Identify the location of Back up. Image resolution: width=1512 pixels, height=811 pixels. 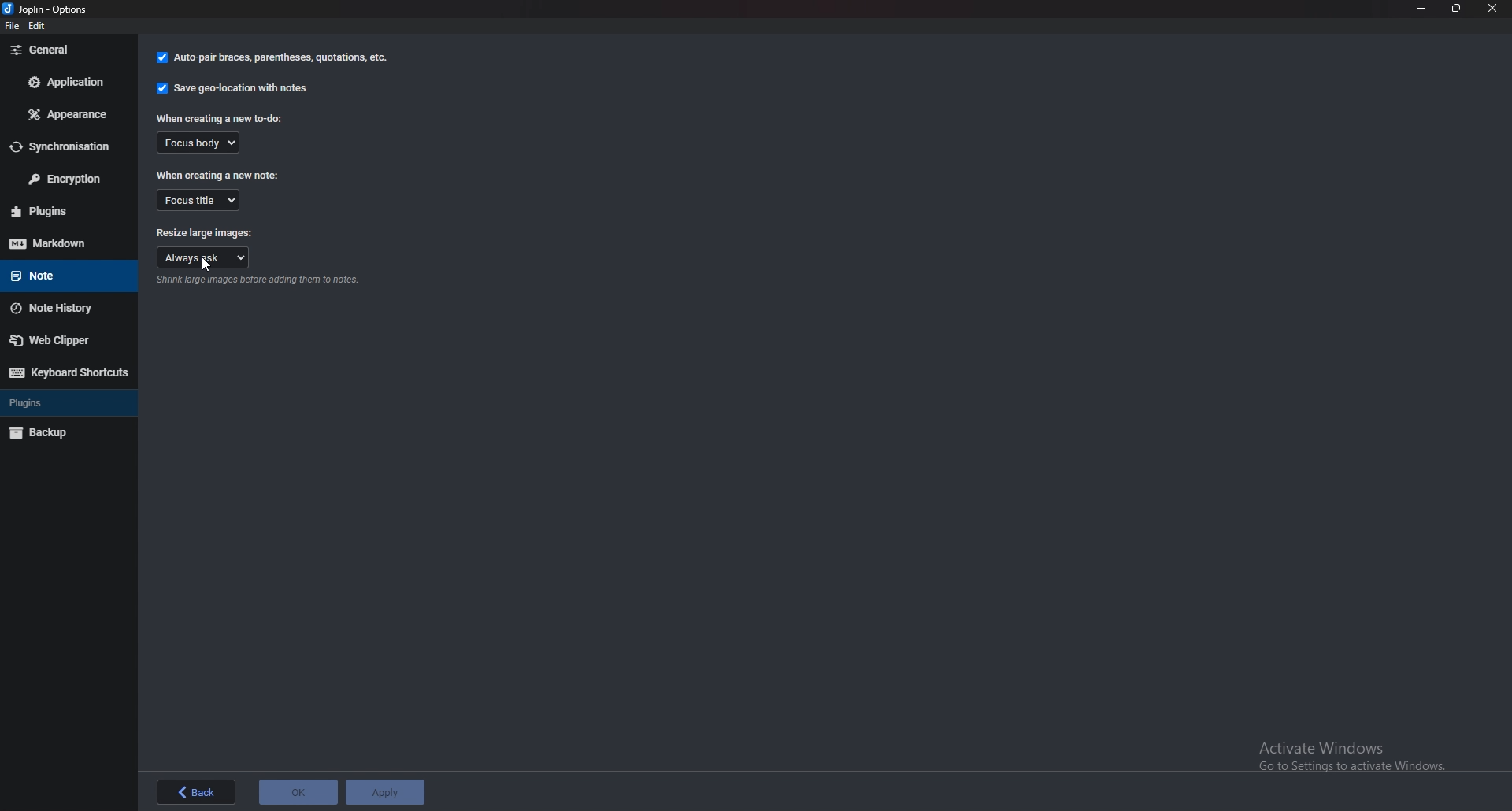
(58, 431).